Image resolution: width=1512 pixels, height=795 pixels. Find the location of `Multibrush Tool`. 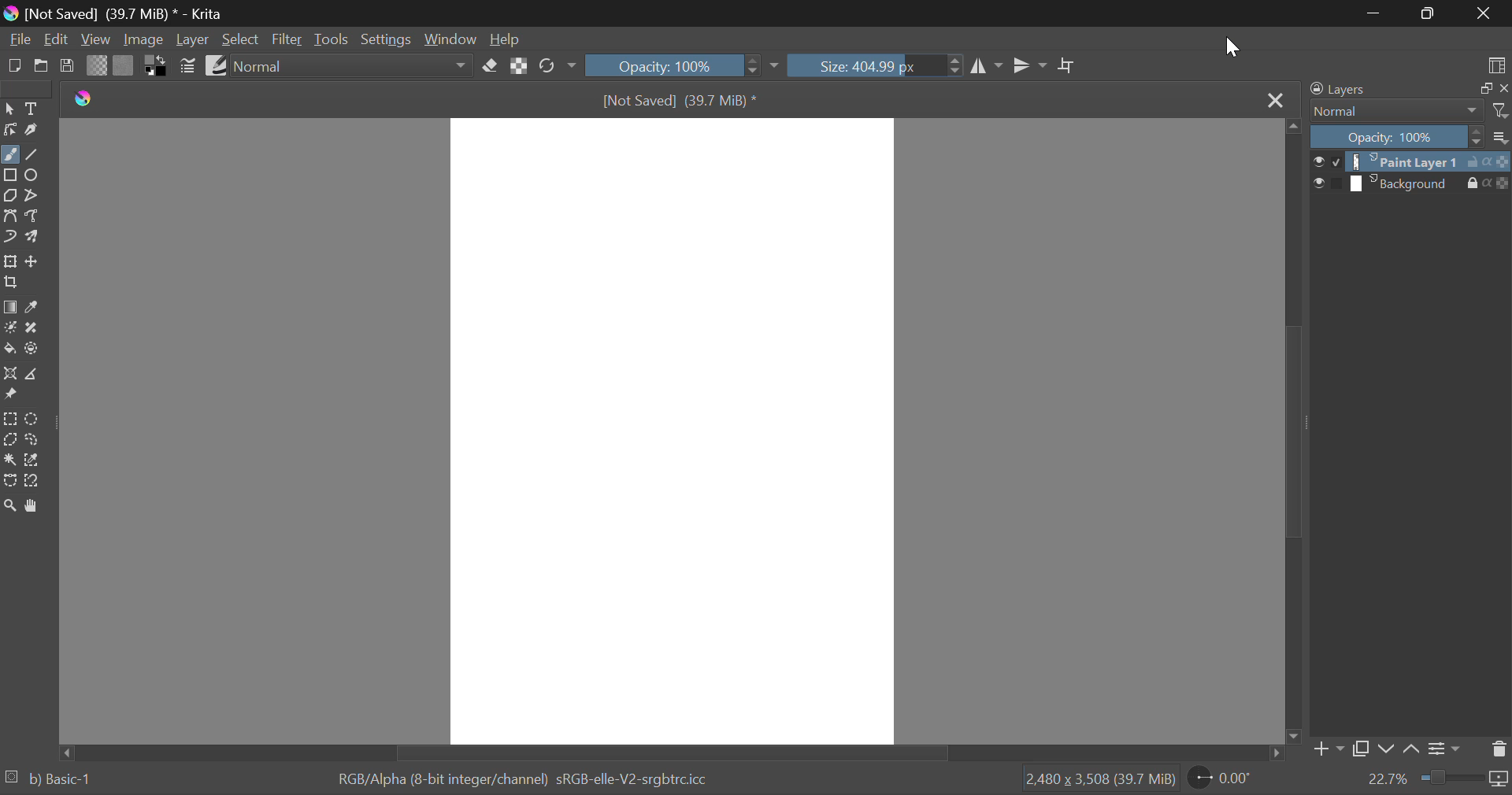

Multibrush Tool is located at coordinates (34, 238).